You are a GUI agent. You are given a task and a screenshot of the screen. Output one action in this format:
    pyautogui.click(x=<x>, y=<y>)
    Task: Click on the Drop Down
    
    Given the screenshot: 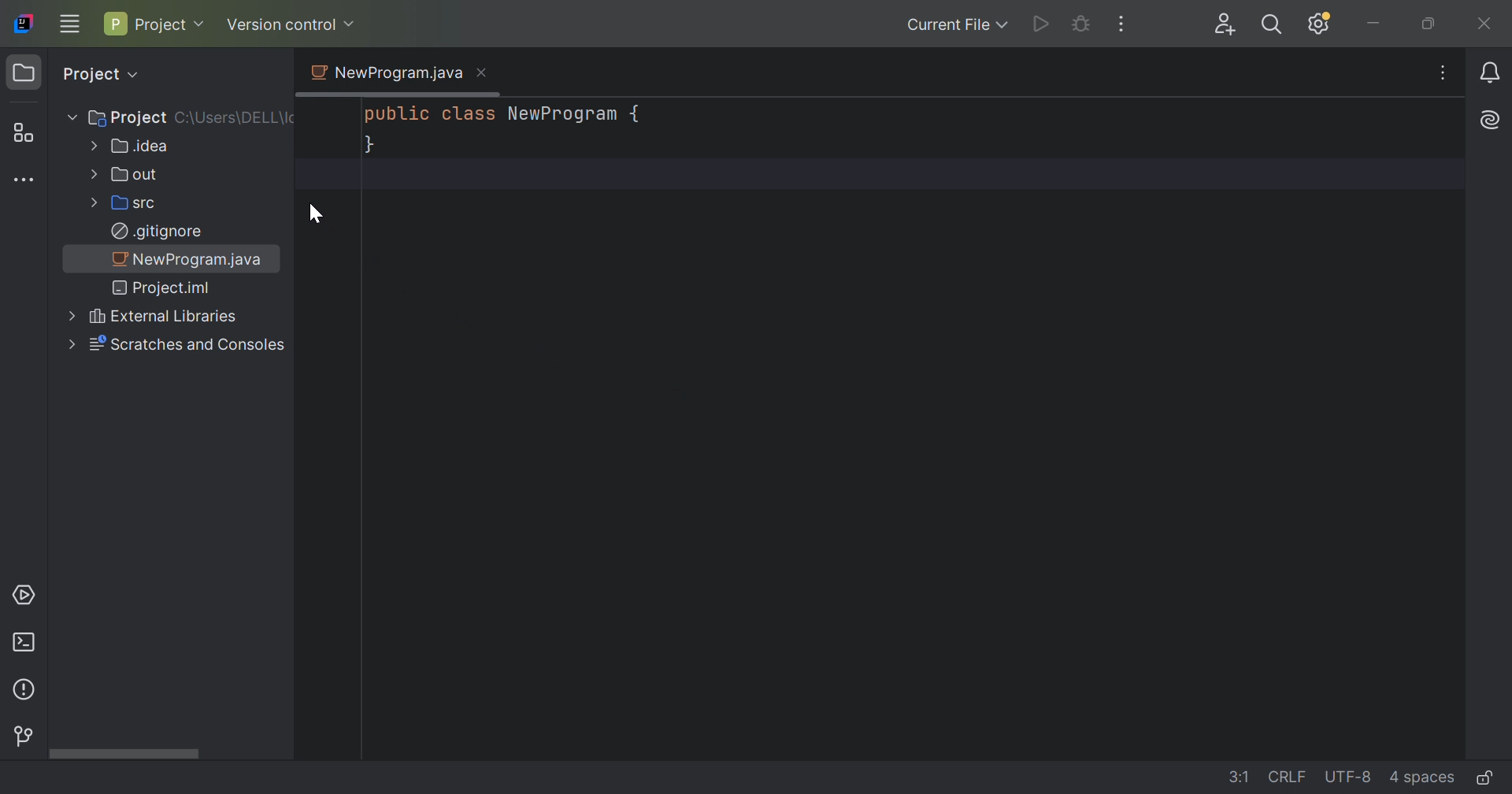 What is the action you would take?
    pyautogui.click(x=350, y=24)
    